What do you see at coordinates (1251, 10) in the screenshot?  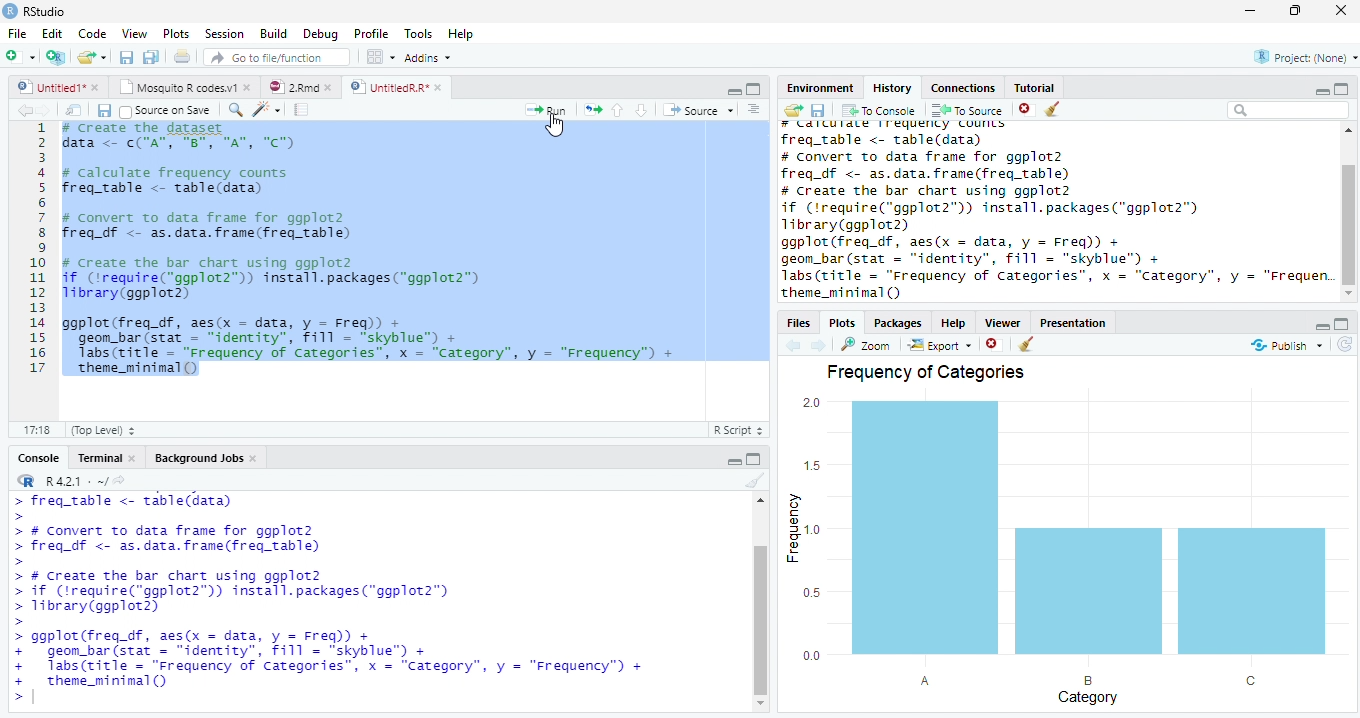 I see `Minimize` at bounding box center [1251, 10].